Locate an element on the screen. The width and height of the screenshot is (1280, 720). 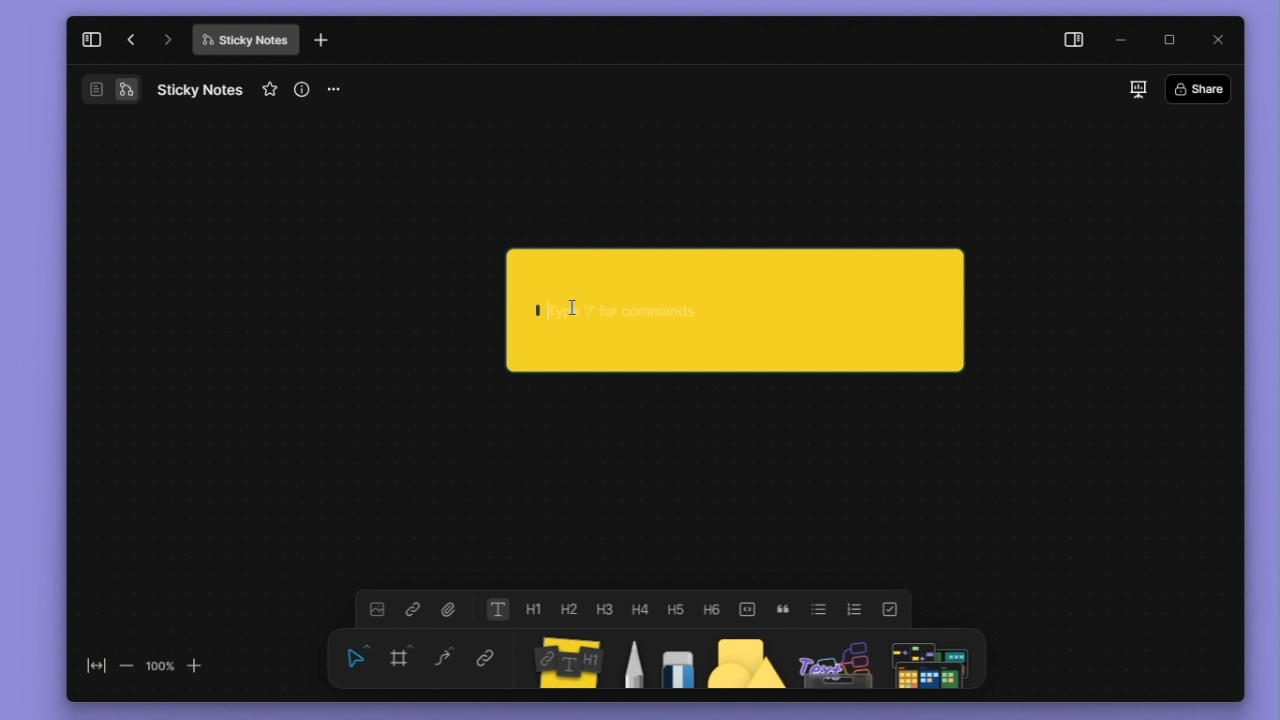
slideshow is located at coordinates (1137, 89).